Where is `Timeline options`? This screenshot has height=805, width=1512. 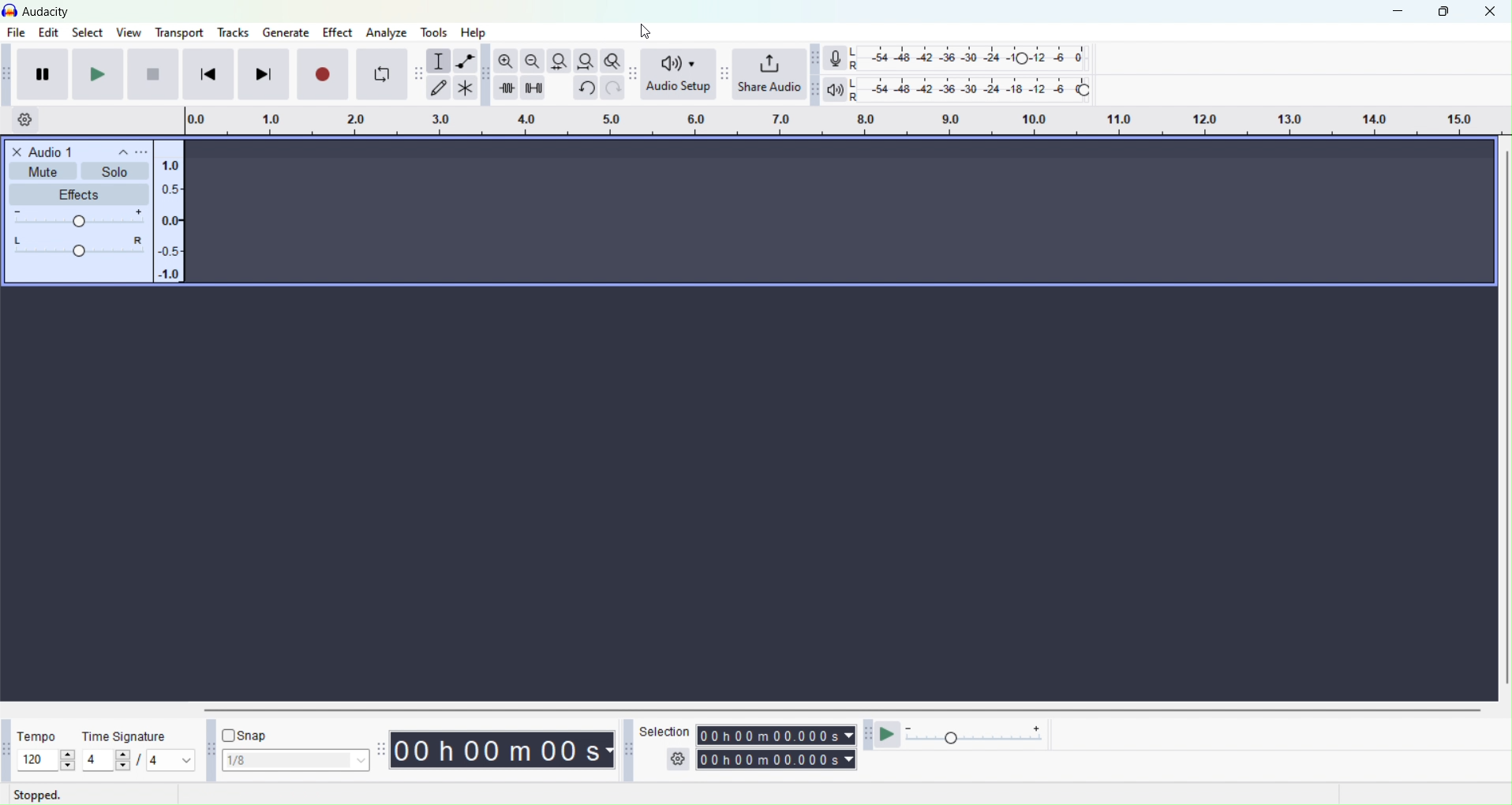 Timeline options is located at coordinates (22, 119).